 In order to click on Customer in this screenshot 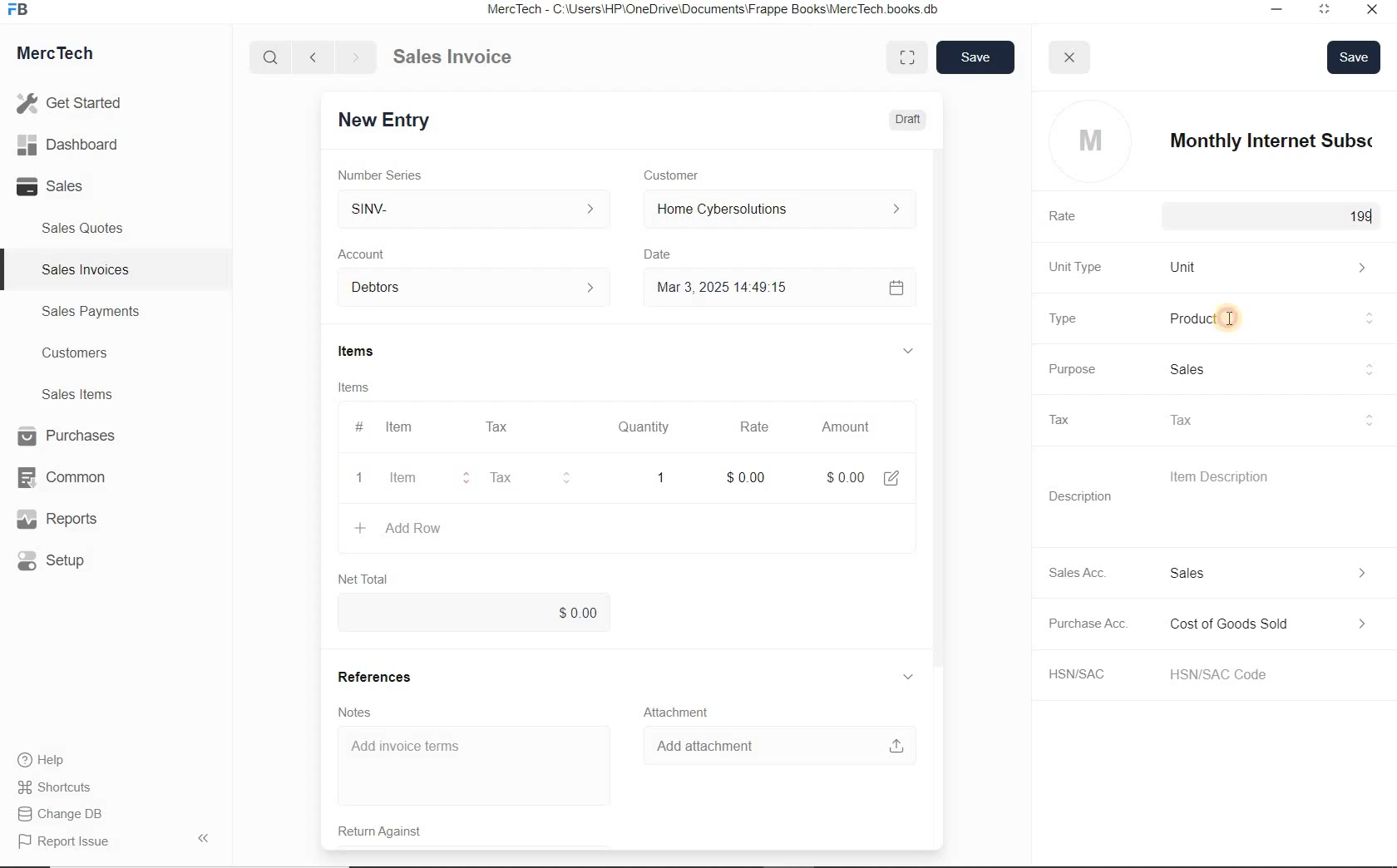, I will do `click(680, 175)`.